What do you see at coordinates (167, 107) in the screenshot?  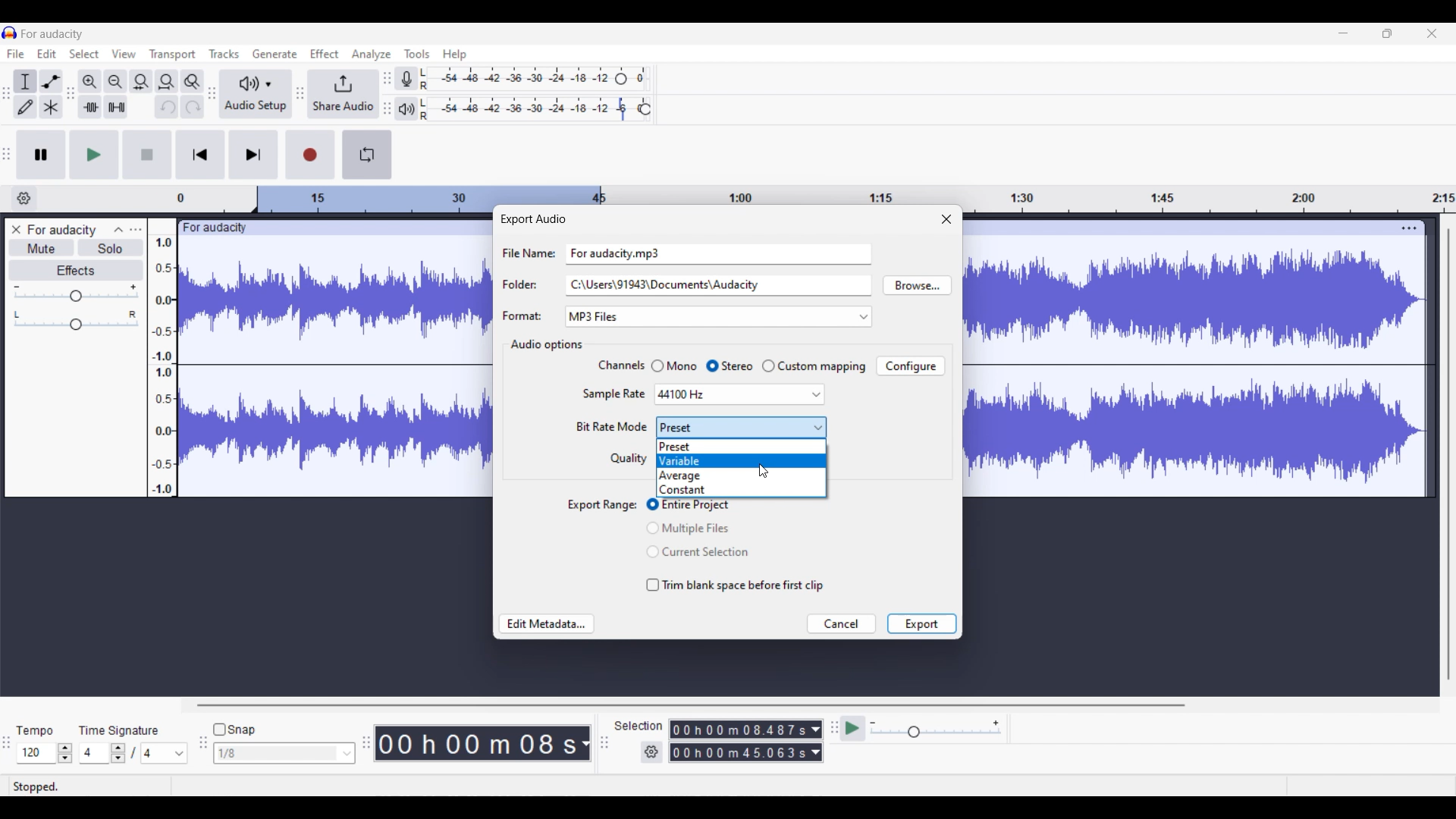 I see `Undo` at bounding box center [167, 107].